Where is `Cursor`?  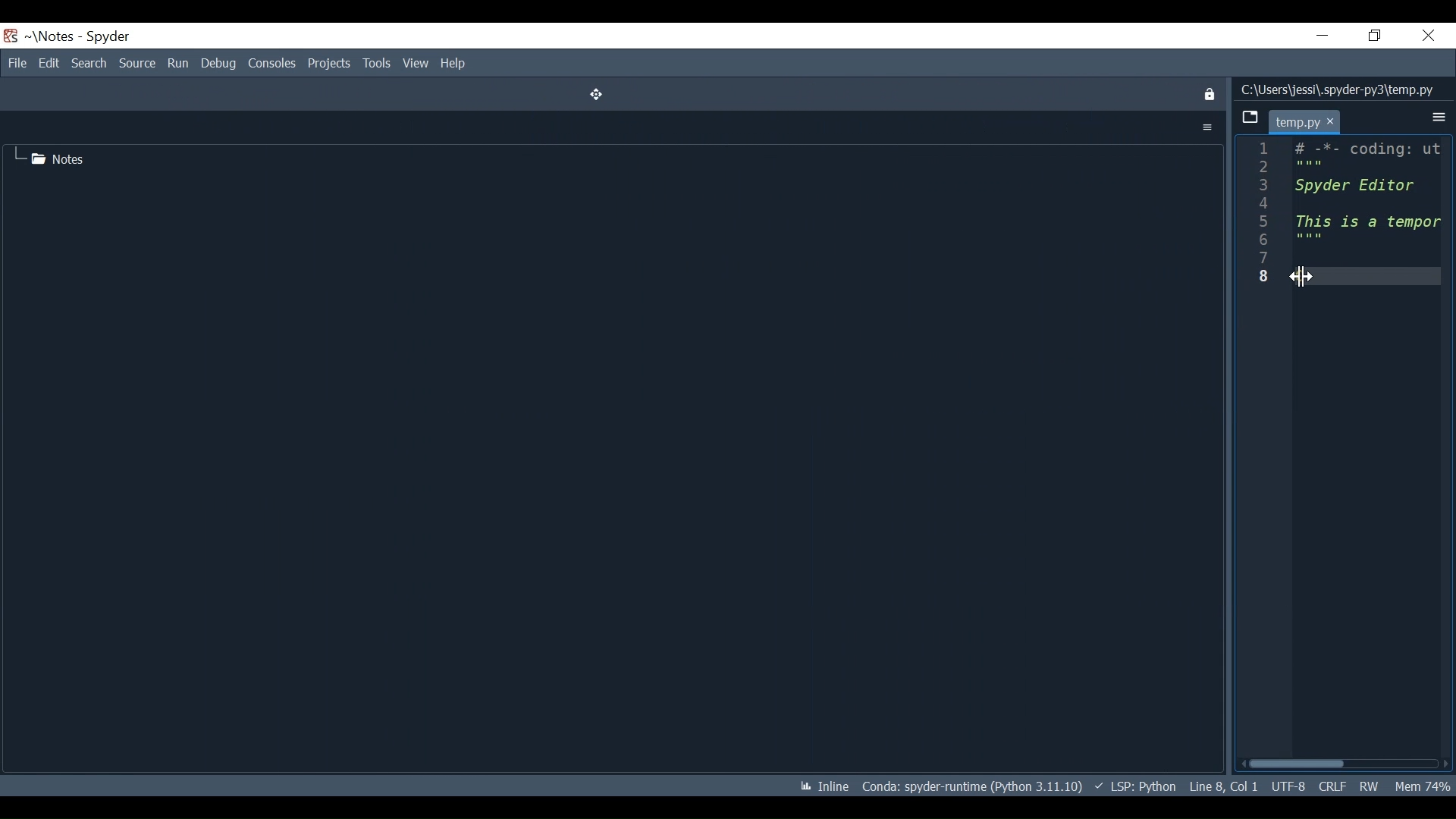 Cursor is located at coordinates (1302, 278).